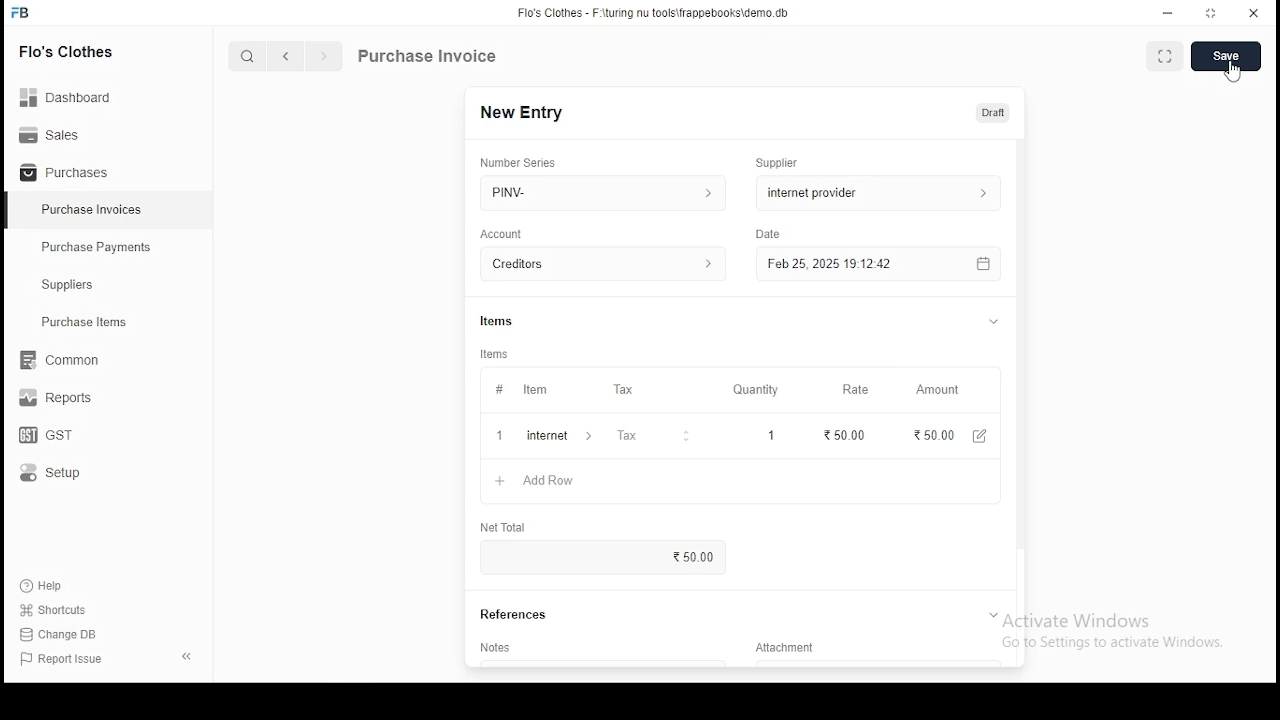 This screenshot has width=1280, height=720. Describe the element at coordinates (993, 615) in the screenshot. I see `tab` at that location.